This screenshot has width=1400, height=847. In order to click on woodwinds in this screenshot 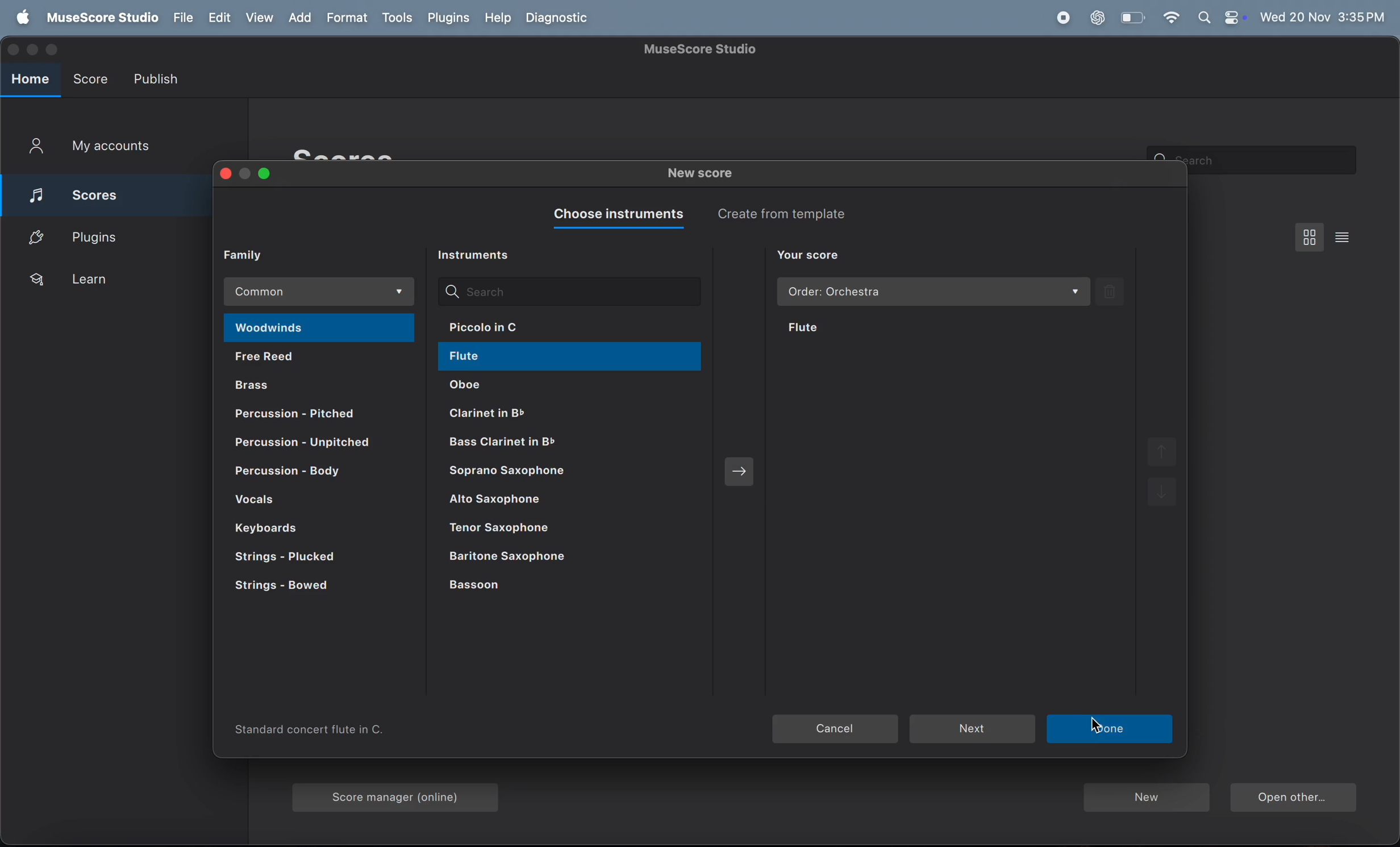, I will do `click(318, 329)`.